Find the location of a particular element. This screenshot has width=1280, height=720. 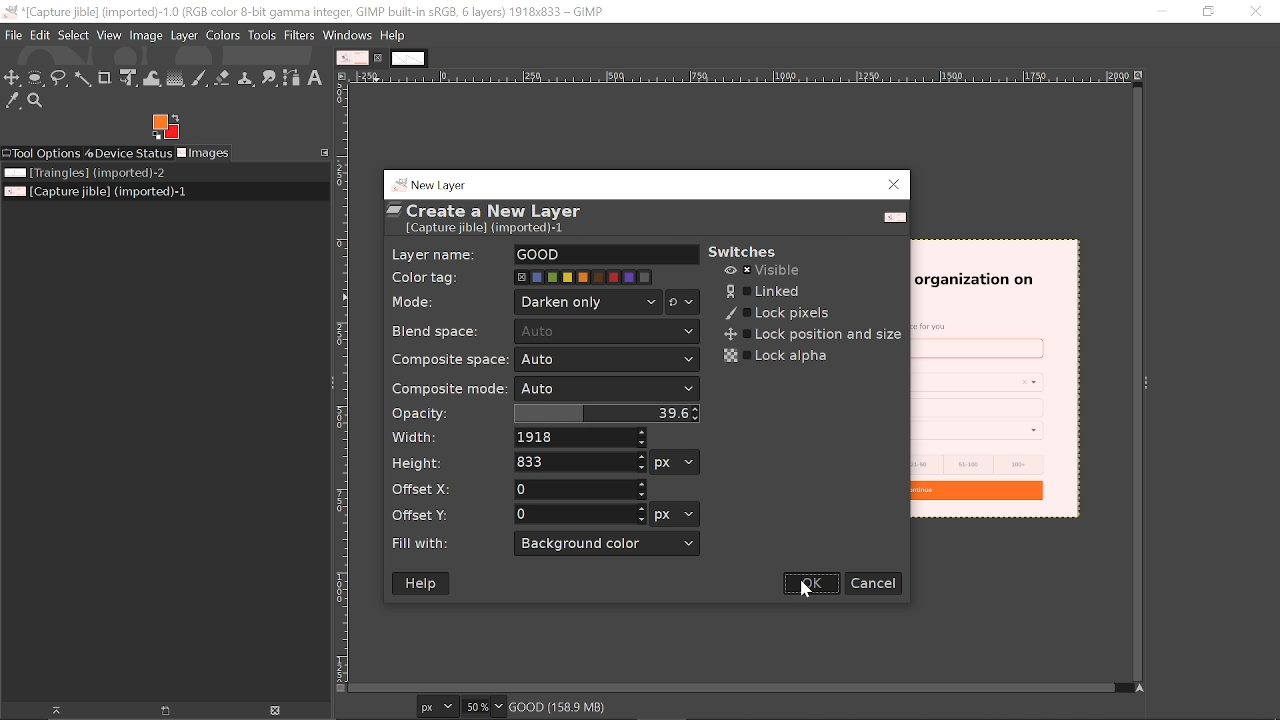

Tool options is located at coordinates (41, 154).